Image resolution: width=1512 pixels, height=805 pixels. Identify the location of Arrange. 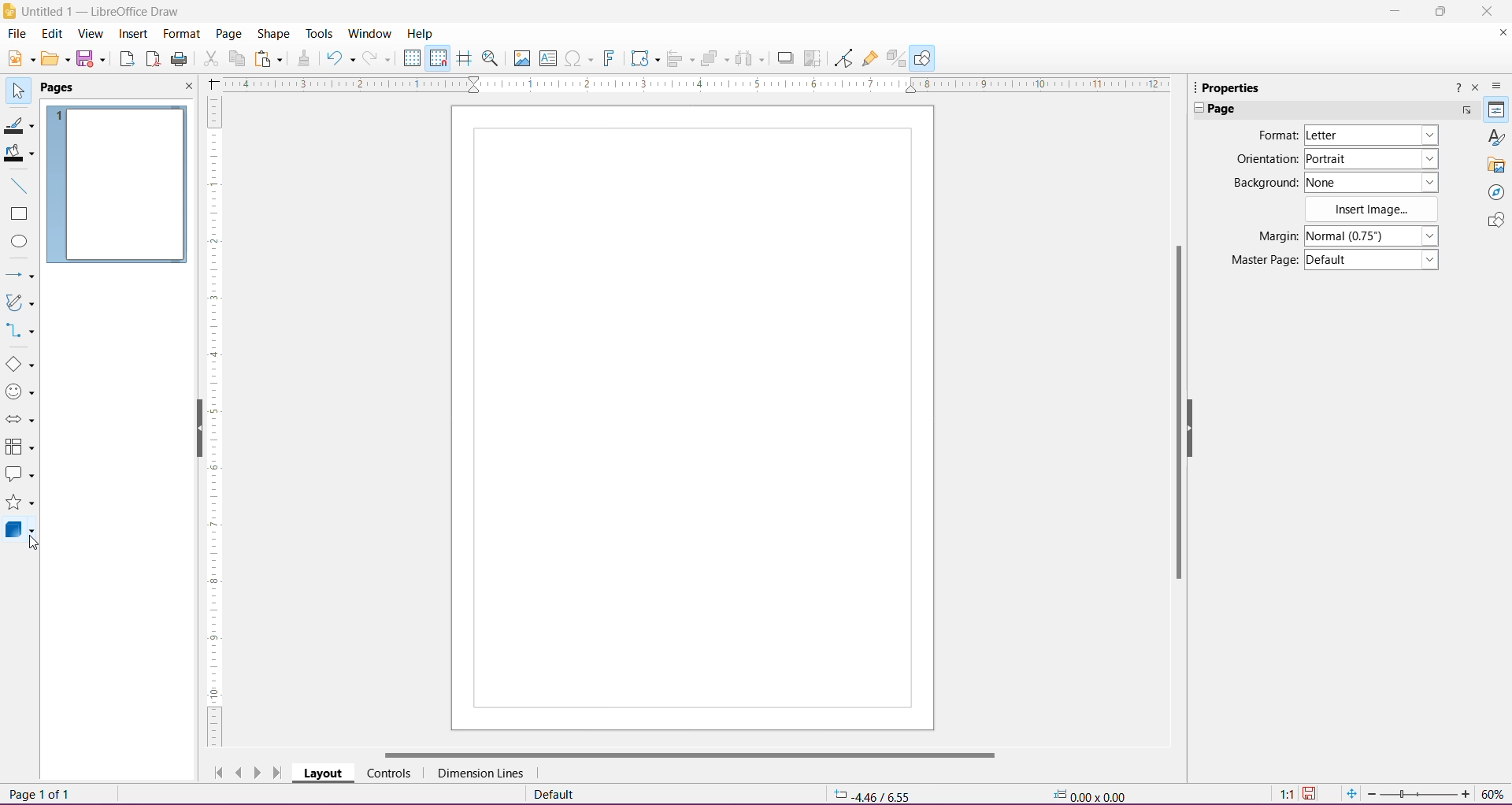
(714, 58).